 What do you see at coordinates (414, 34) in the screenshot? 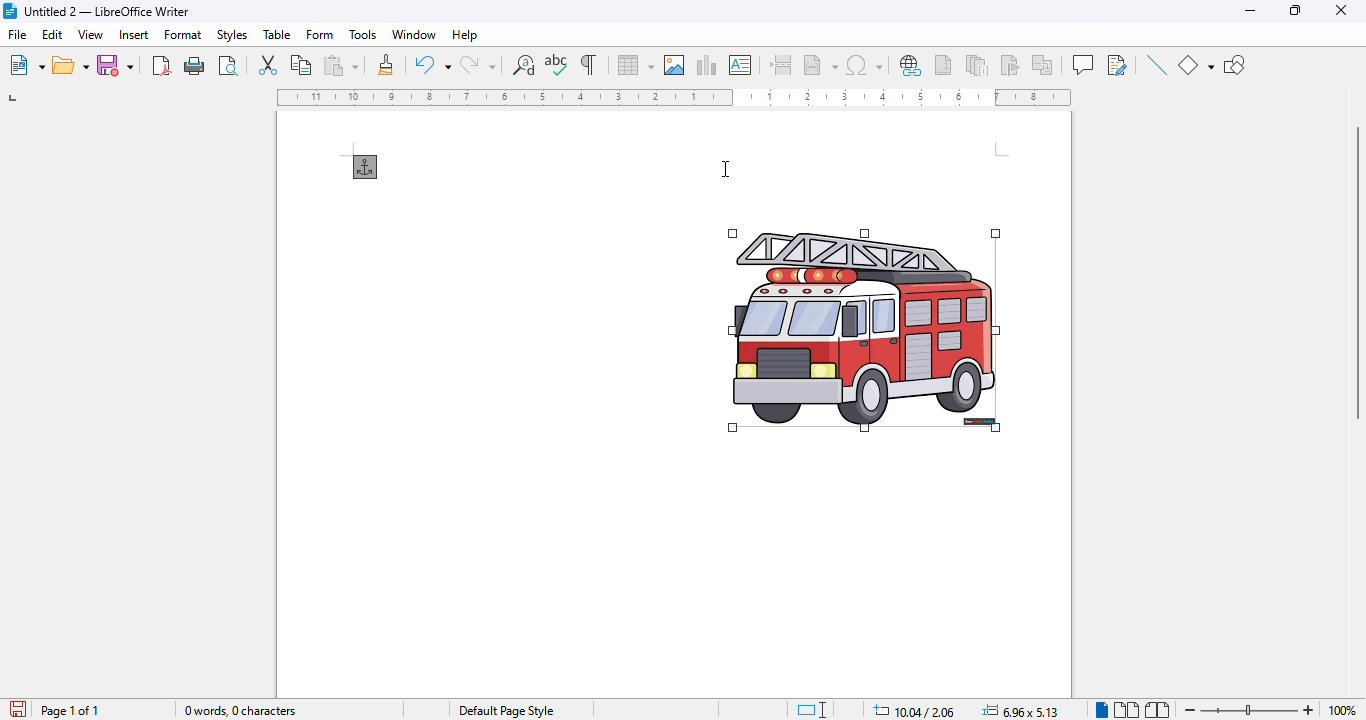
I see `window` at bounding box center [414, 34].